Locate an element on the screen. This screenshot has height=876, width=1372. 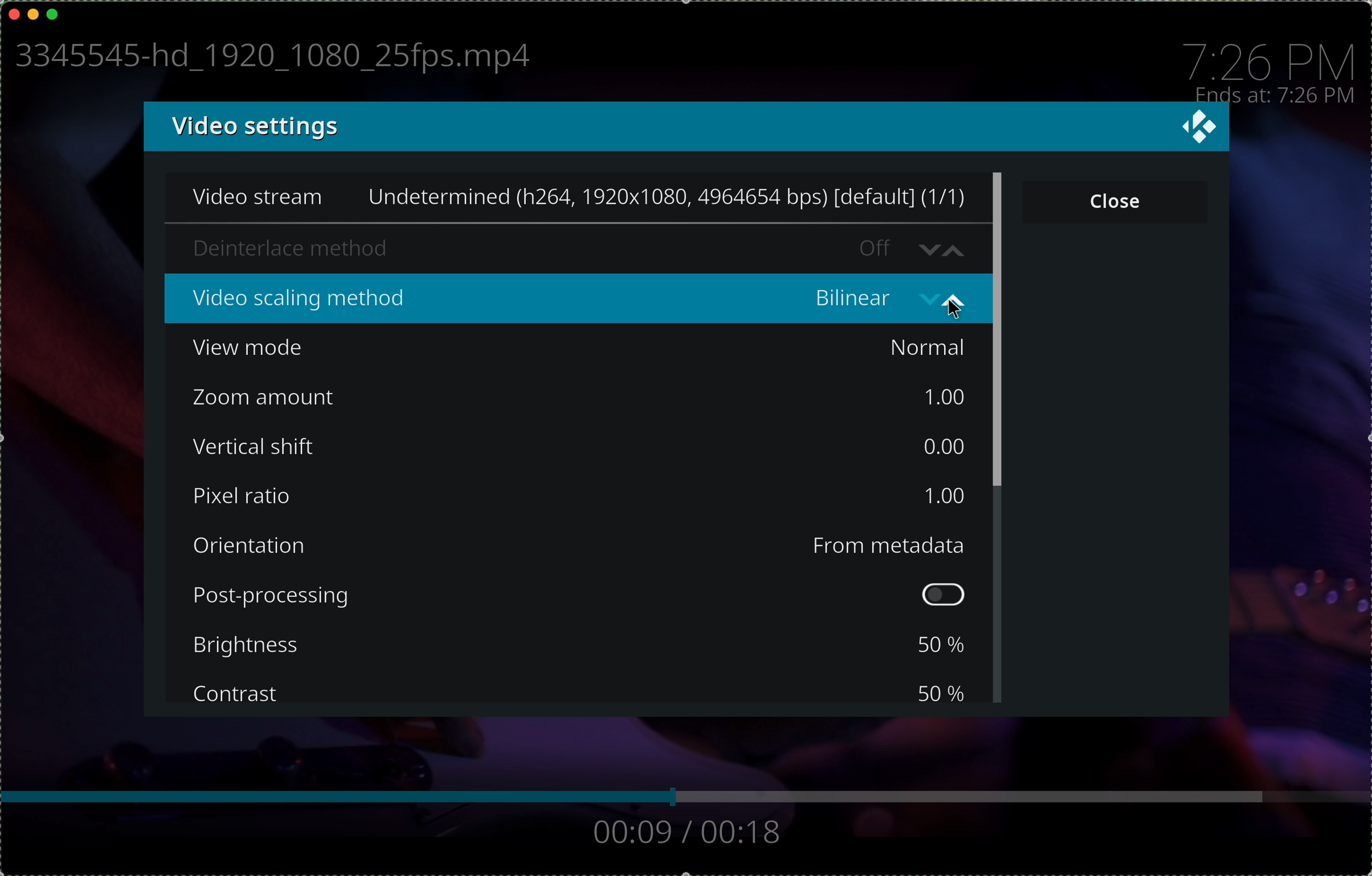
1.00 is located at coordinates (941, 397).